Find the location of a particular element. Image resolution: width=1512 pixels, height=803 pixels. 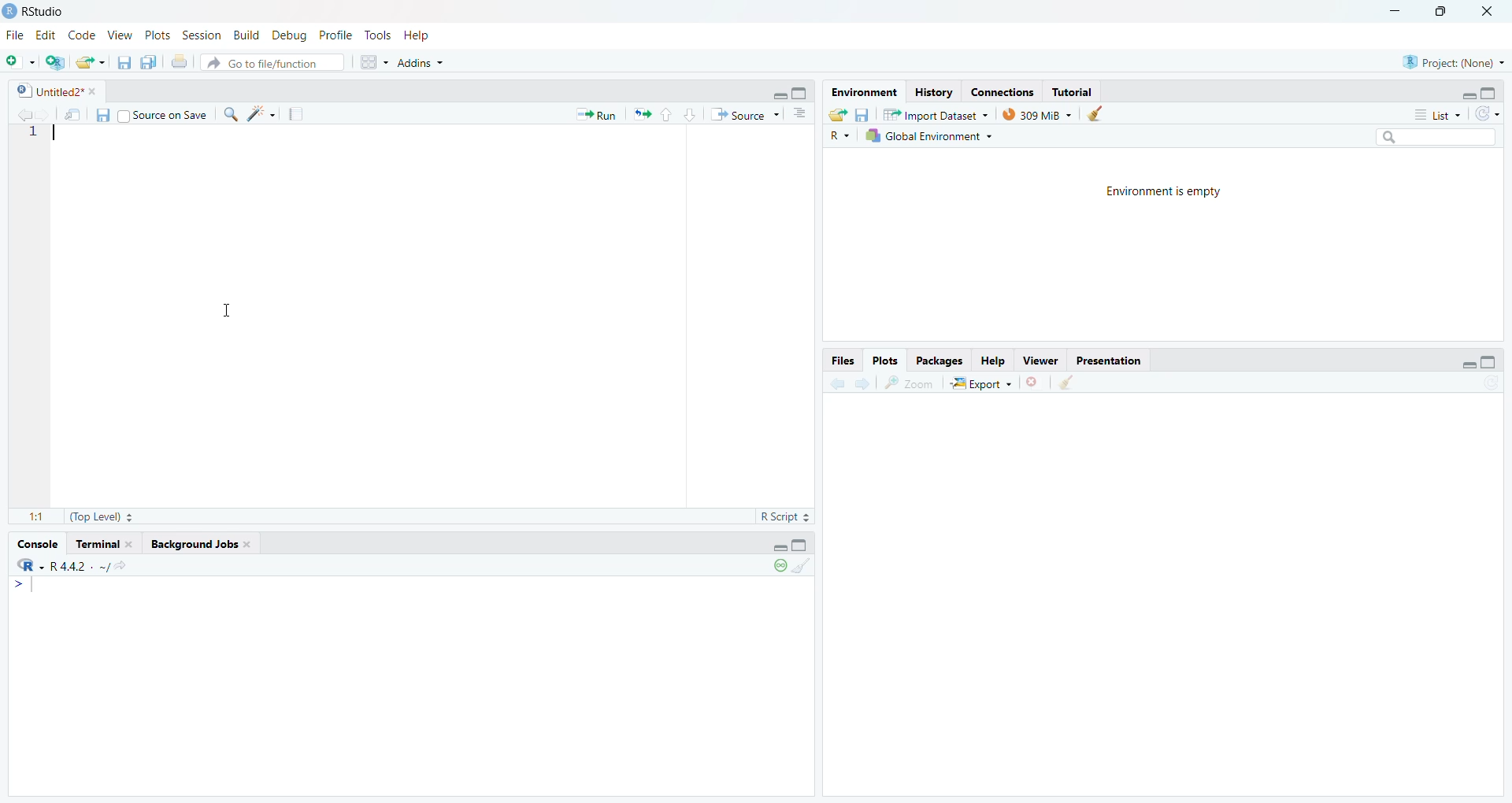

Background Jobs is located at coordinates (196, 546).